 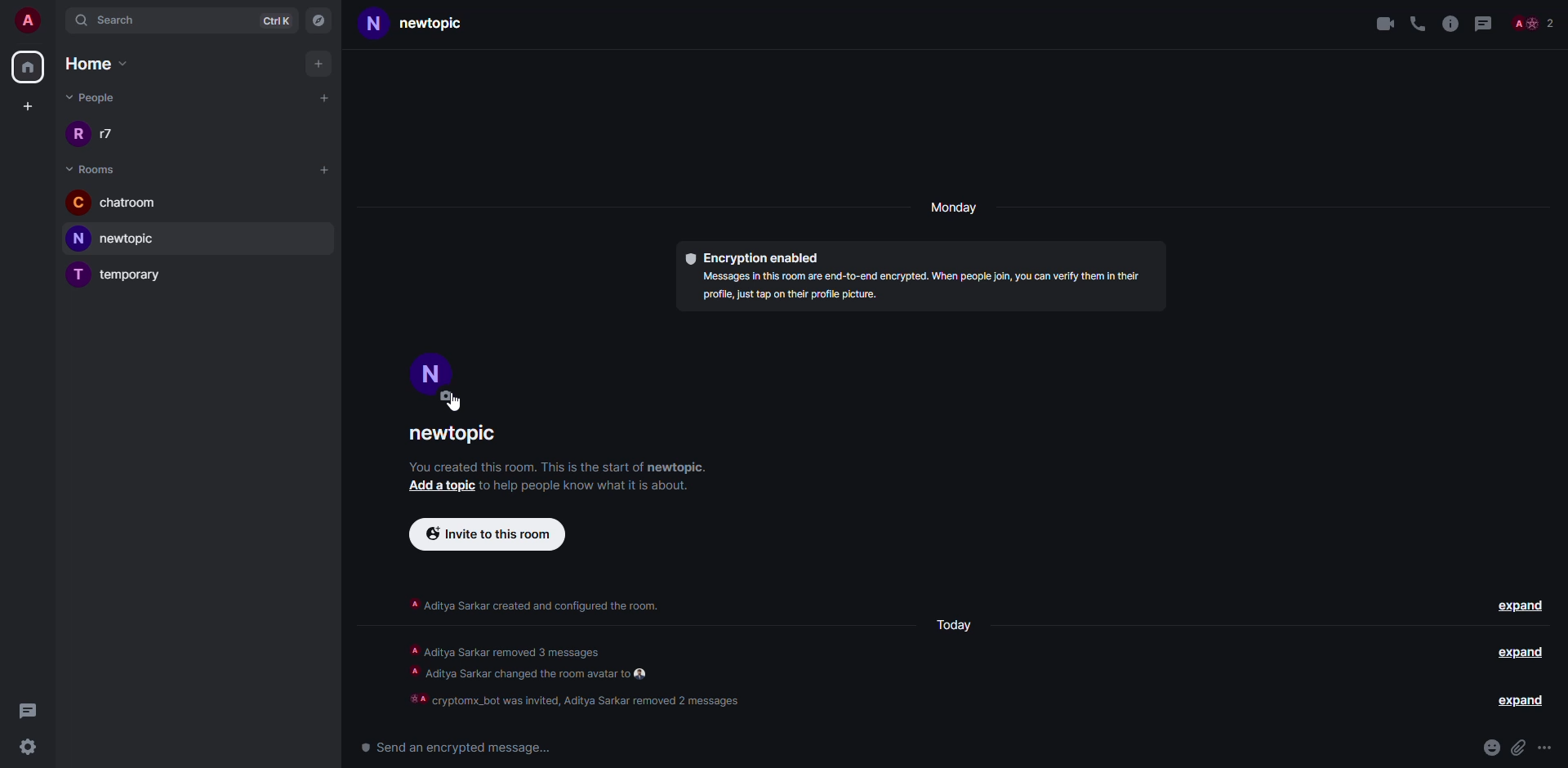 I want to click on invite to this room, so click(x=483, y=534).